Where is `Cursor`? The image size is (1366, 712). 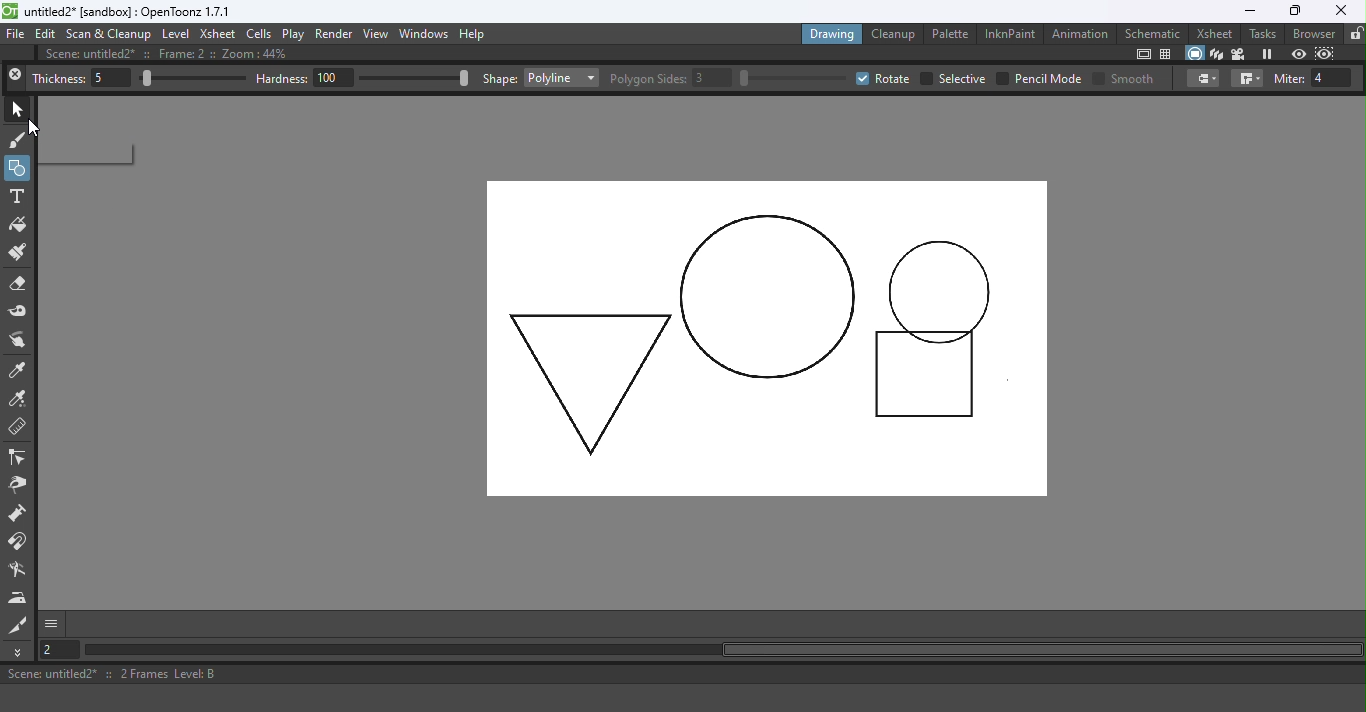 Cursor is located at coordinates (37, 131).